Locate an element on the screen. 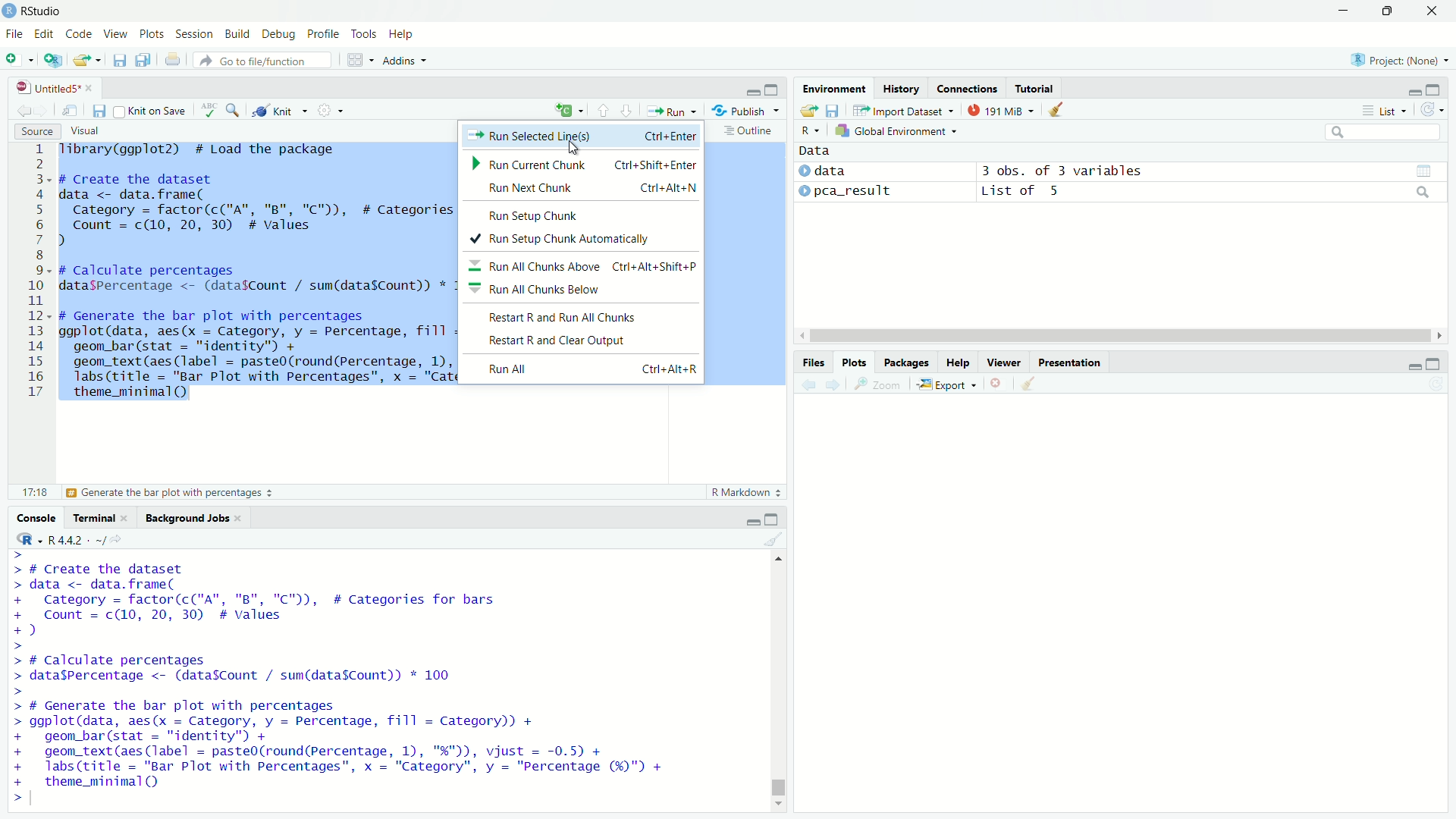 This screenshot has width=1456, height=819. go back is located at coordinates (808, 385).